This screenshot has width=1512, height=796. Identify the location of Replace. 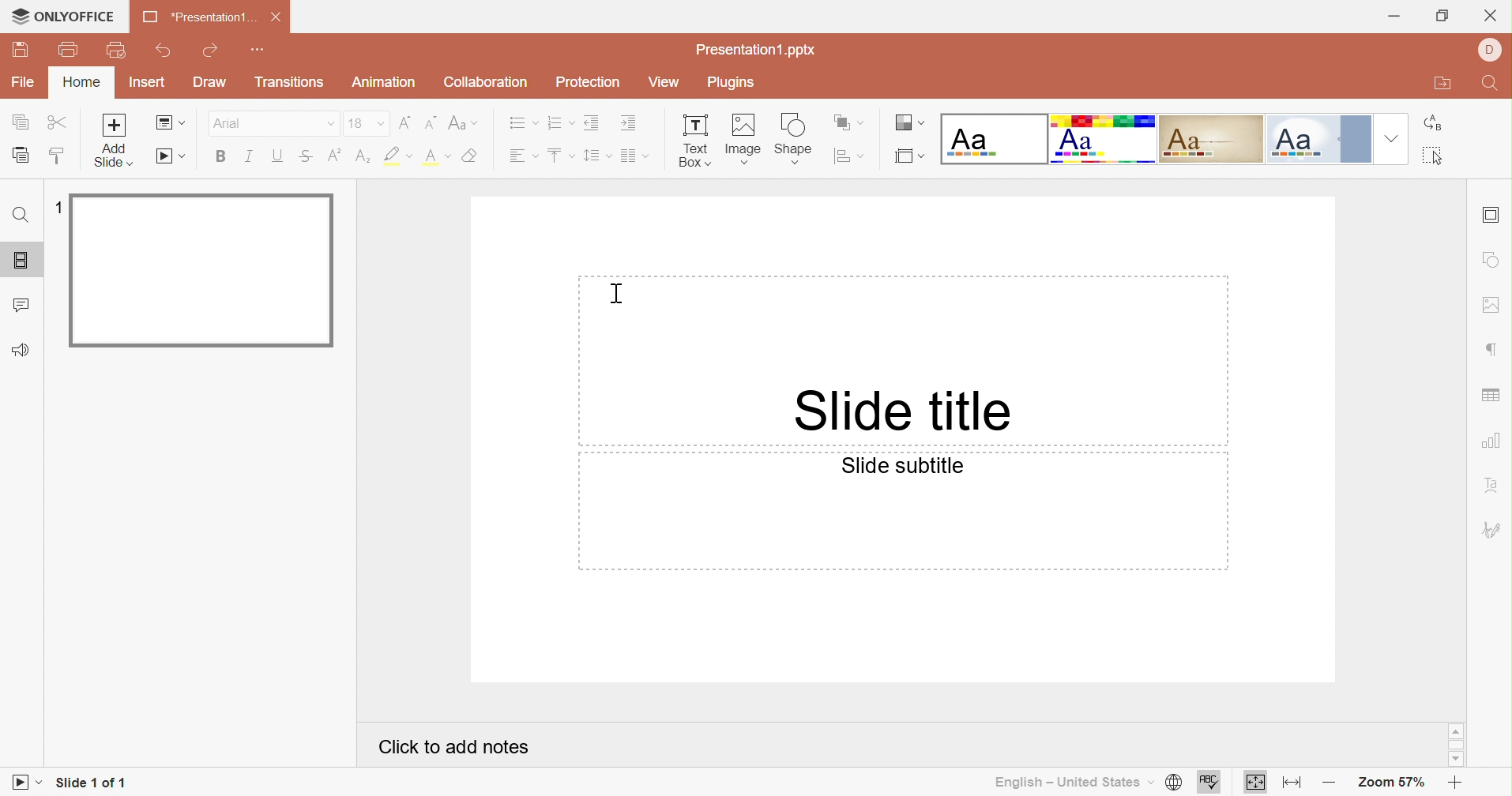
(1437, 126).